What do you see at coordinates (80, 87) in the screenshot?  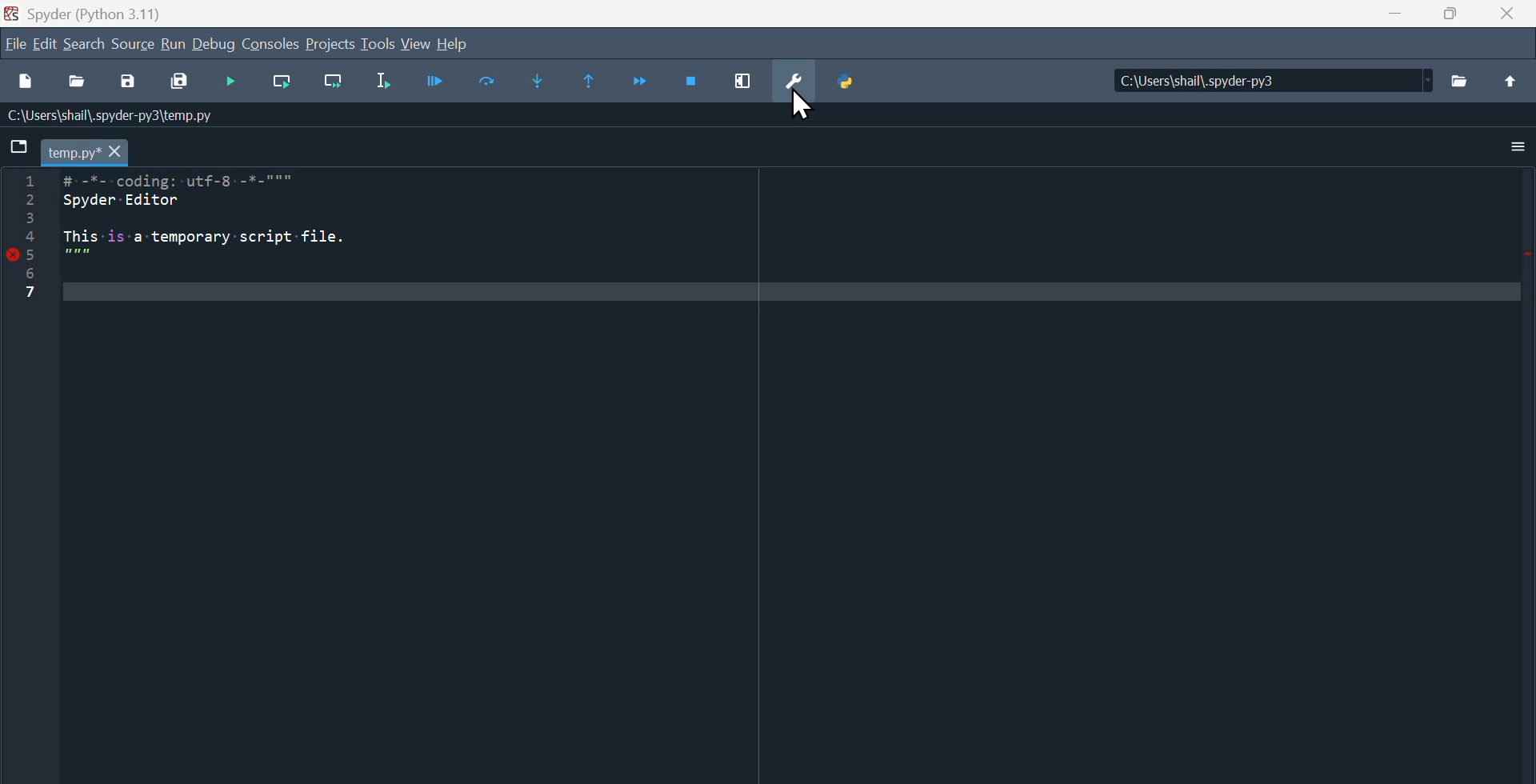 I see `open file` at bounding box center [80, 87].